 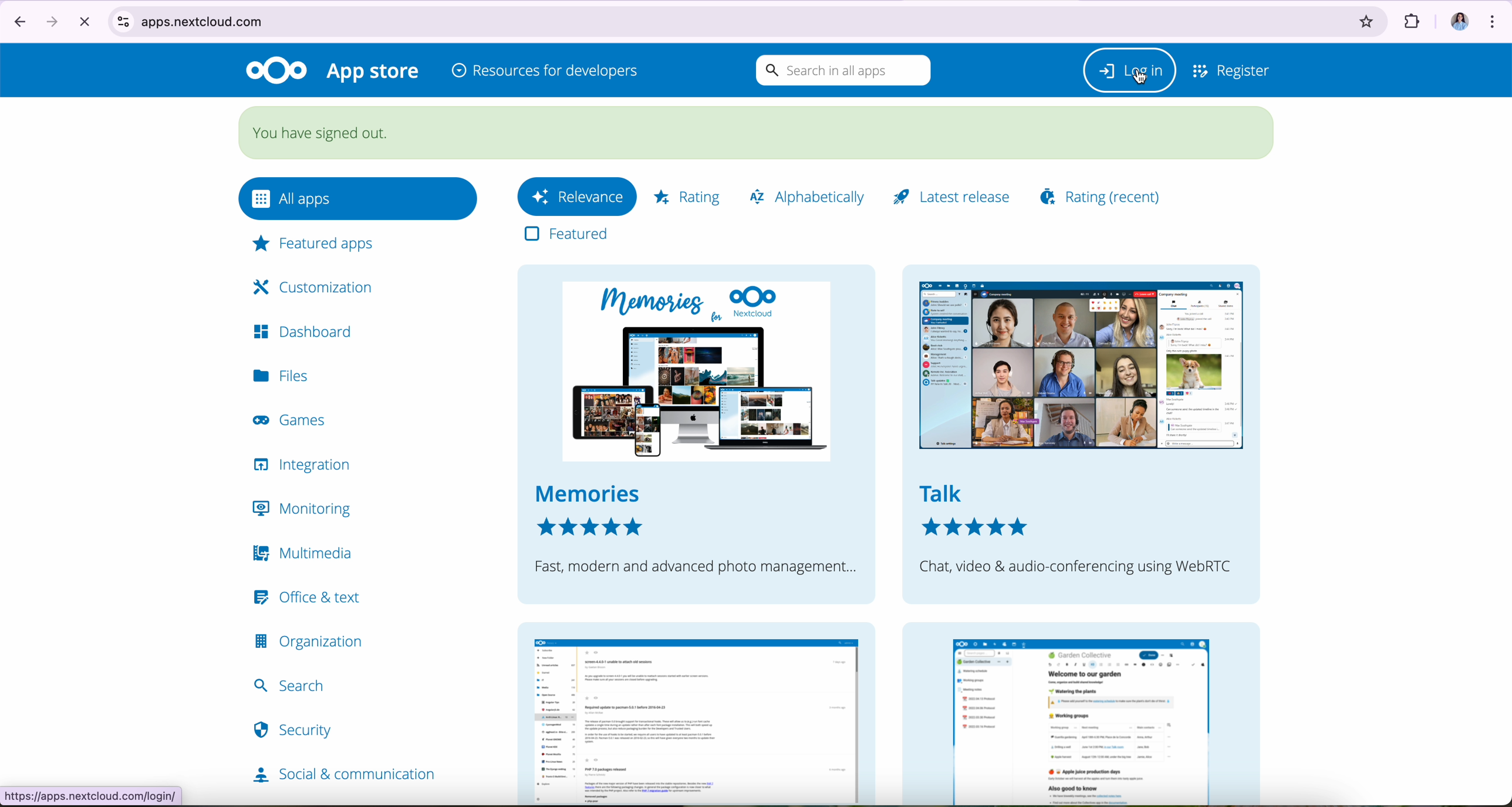 I want to click on https.//apps.nextcloud.com/logout., so click(x=95, y=796).